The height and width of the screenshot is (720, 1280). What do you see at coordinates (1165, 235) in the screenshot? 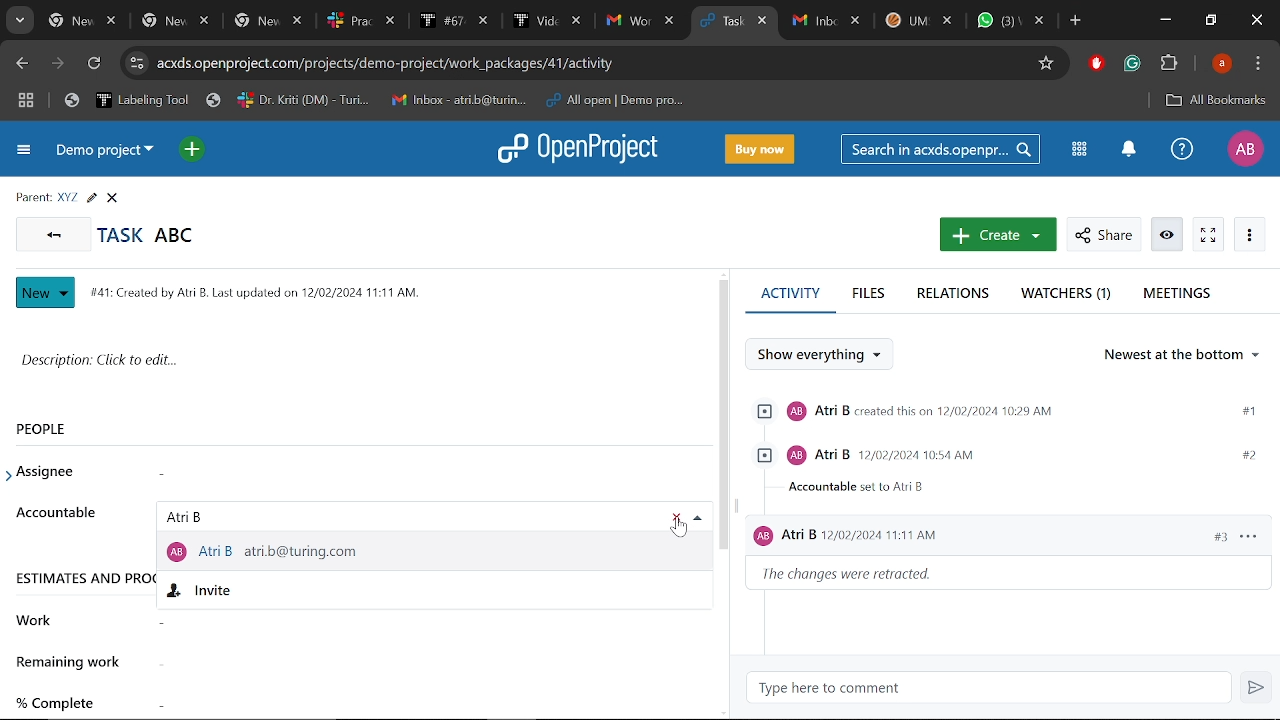
I see `Unwatch workpackage` at bounding box center [1165, 235].